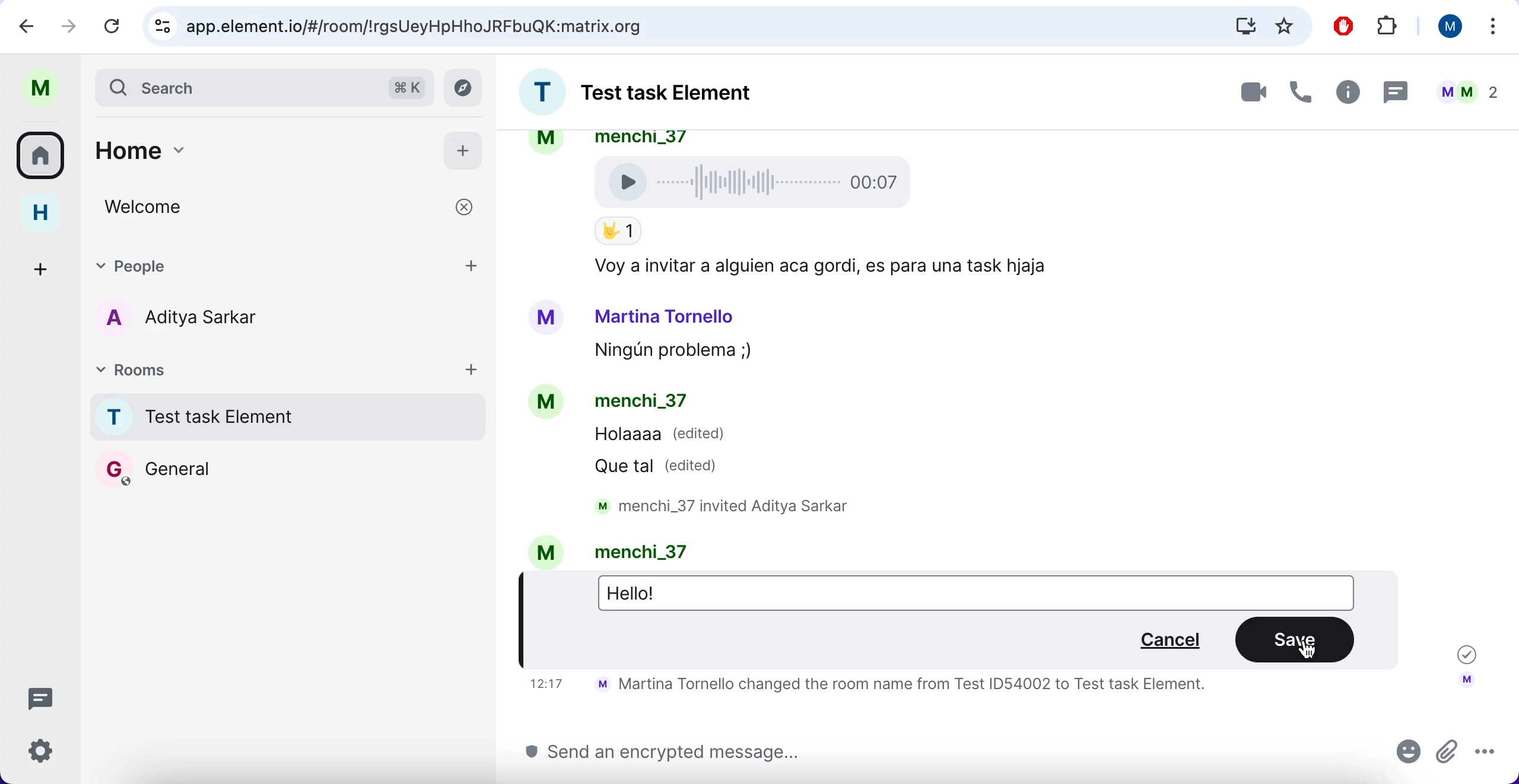  Describe the element at coordinates (1006, 347) in the screenshot. I see `chat` at that location.